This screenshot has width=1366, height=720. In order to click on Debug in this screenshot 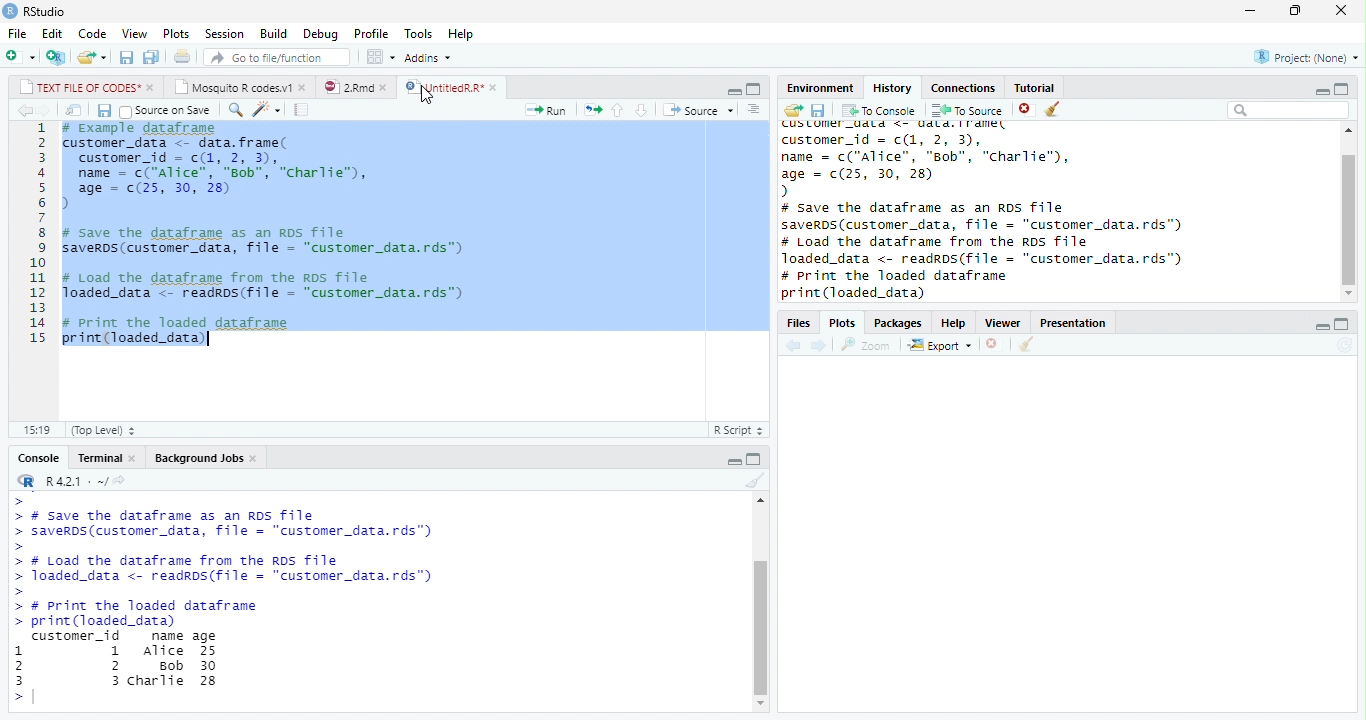, I will do `click(321, 34)`.